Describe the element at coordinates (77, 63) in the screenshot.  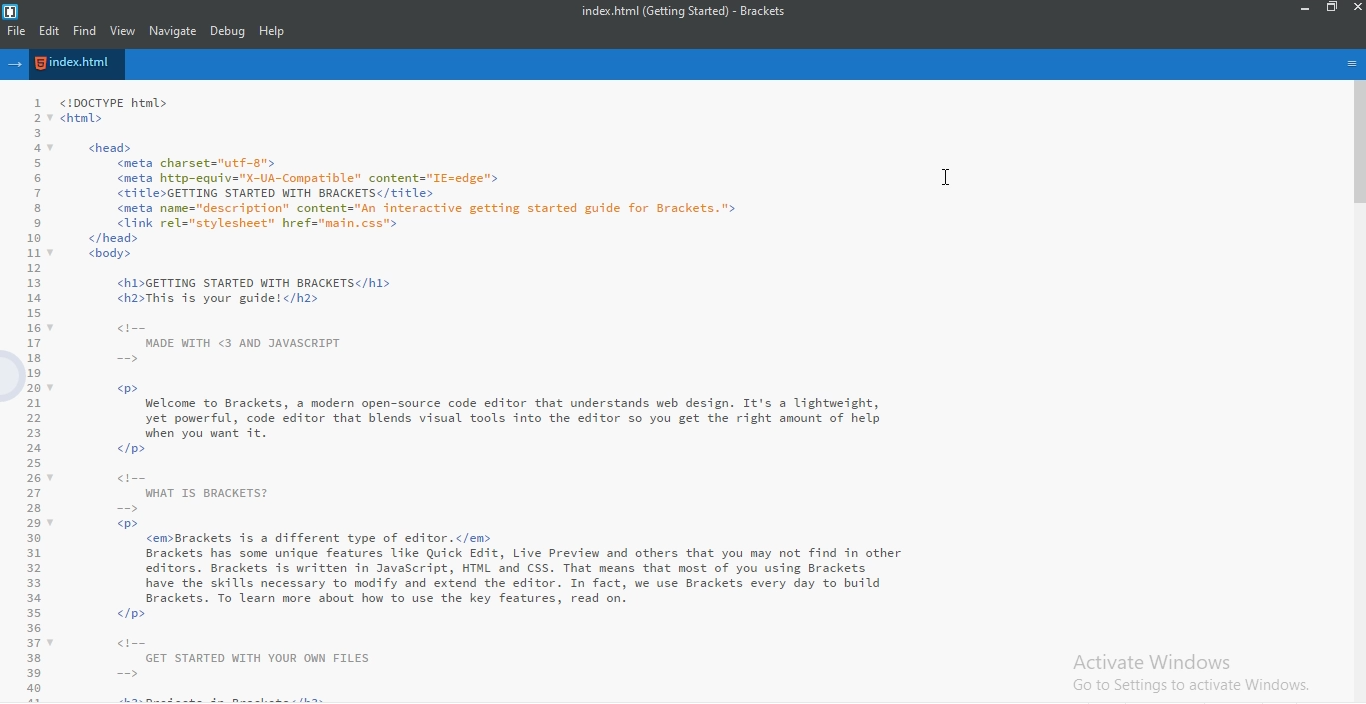
I see `file name` at that location.